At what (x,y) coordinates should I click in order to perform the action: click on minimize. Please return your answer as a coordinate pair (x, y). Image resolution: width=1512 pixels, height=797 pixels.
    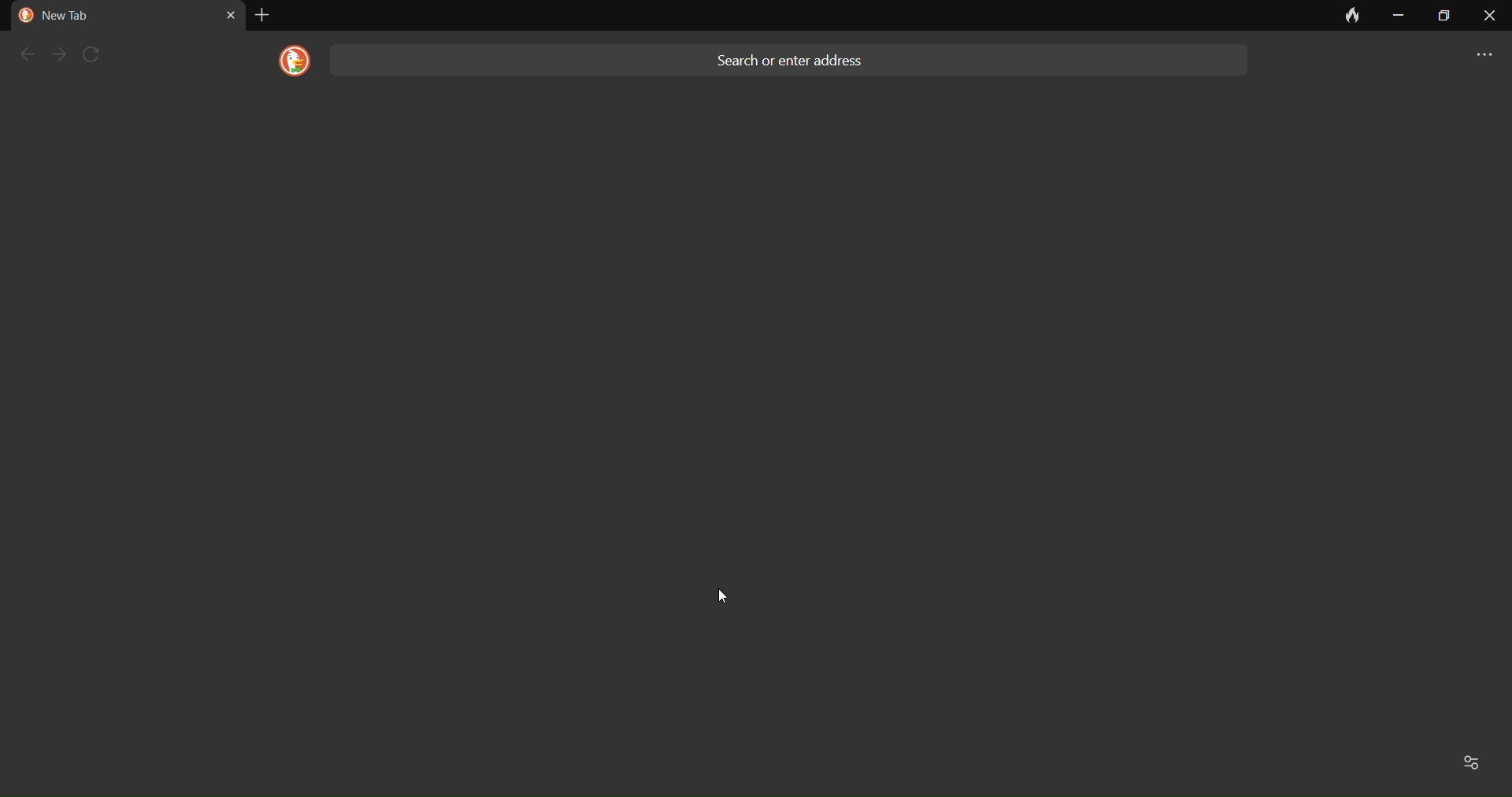
    Looking at the image, I should click on (1397, 16).